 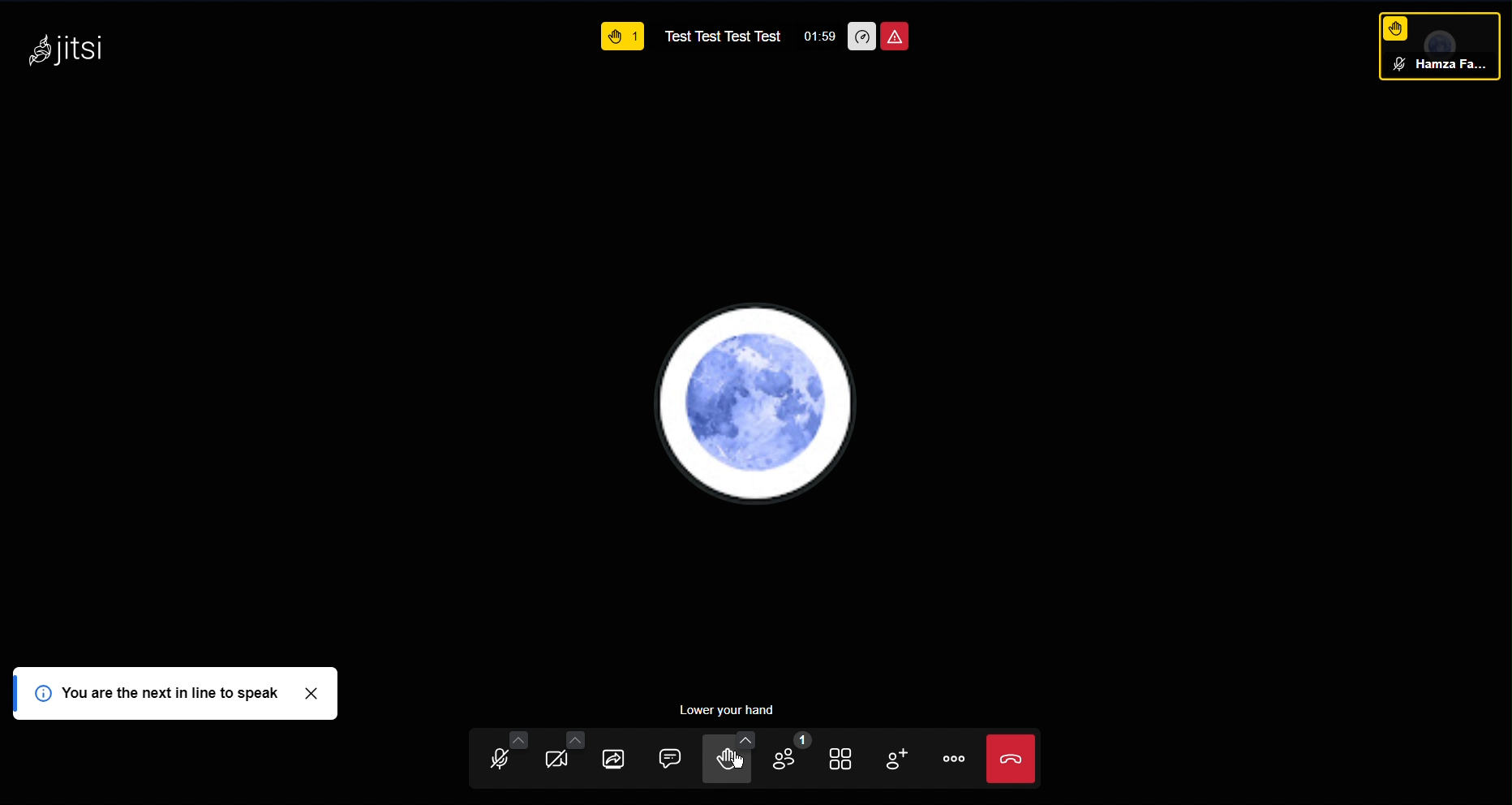 I want to click on Chat, so click(x=672, y=756).